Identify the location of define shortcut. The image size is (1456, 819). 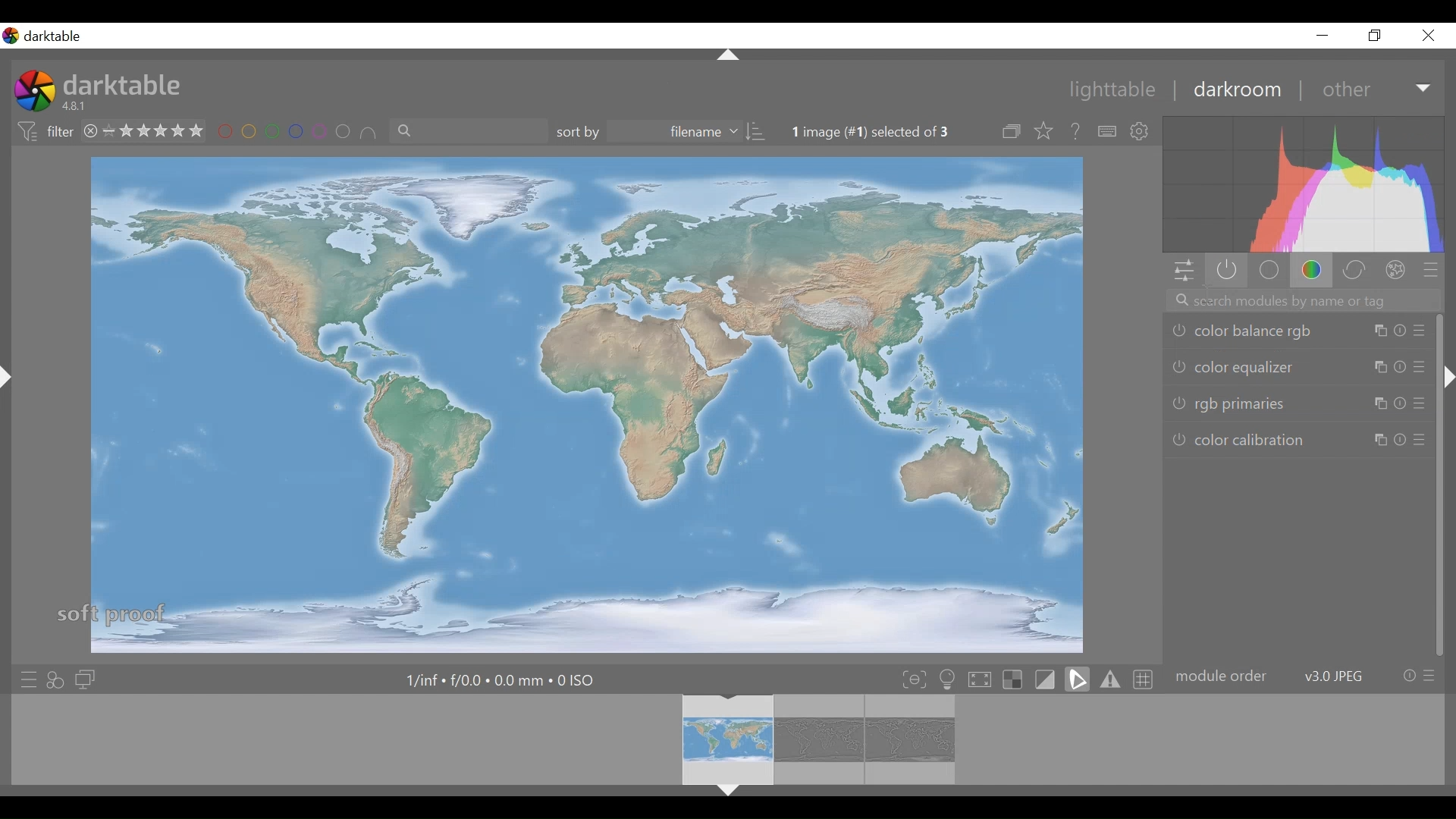
(1106, 131).